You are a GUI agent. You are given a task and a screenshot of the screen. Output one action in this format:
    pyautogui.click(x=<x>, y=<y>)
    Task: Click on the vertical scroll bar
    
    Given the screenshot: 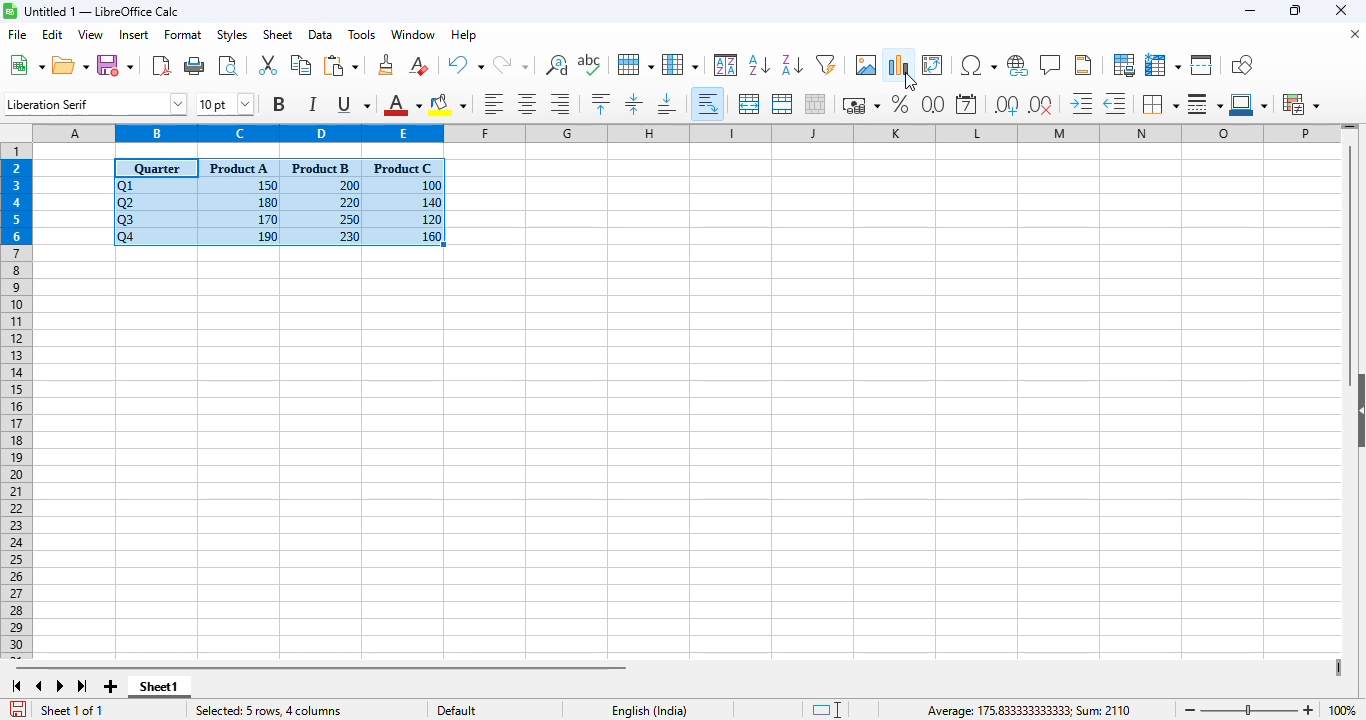 What is the action you would take?
    pyautogui.click(x=1351, y=265)
    